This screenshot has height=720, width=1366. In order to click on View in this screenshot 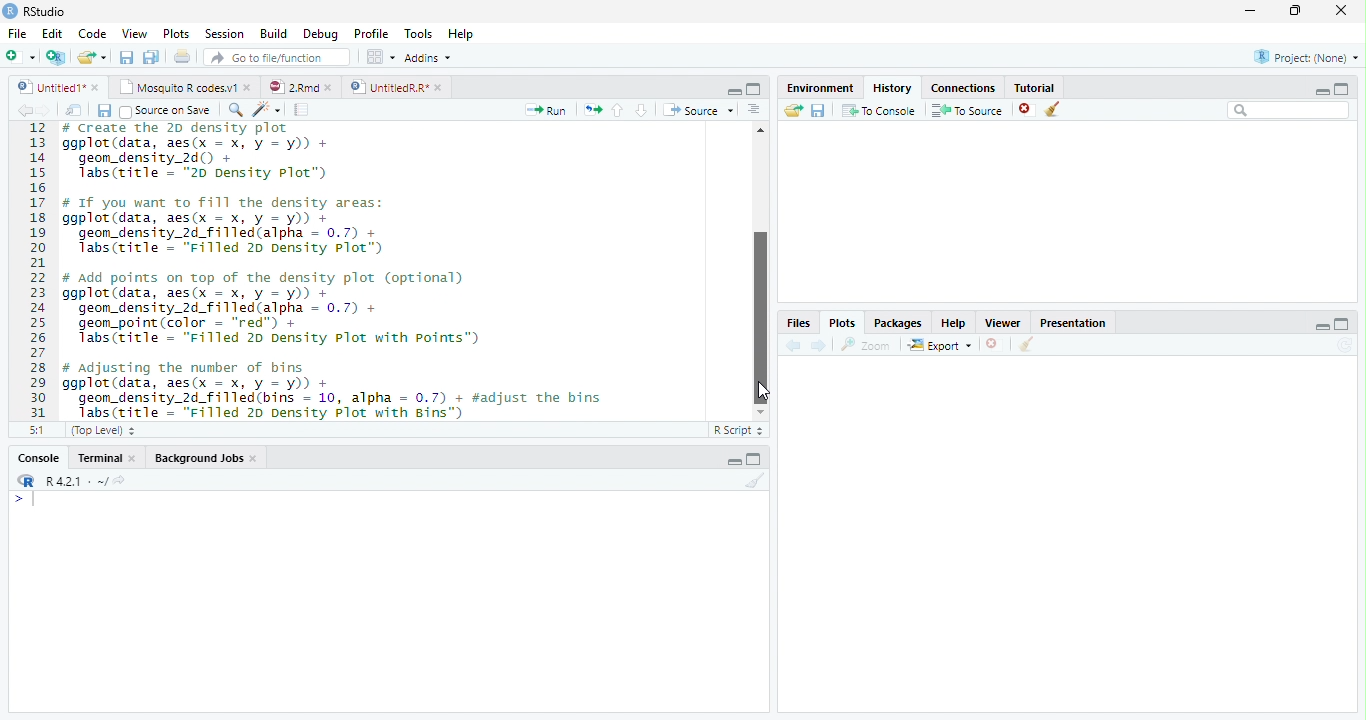, I will do `click(134, 34)`.